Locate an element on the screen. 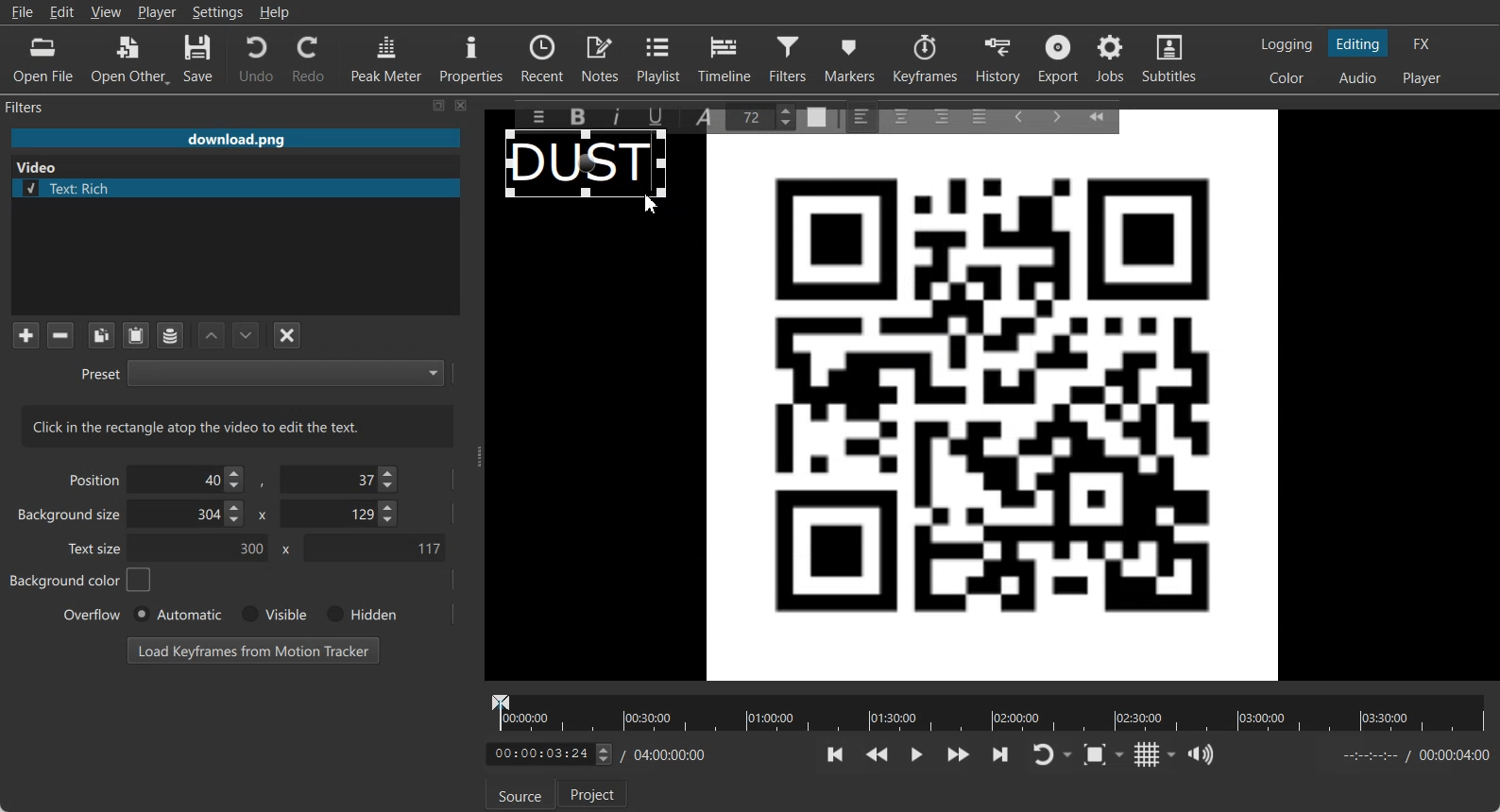 This screenshot has width=1500, height=812. Italic is located at coordinates (620, 114).